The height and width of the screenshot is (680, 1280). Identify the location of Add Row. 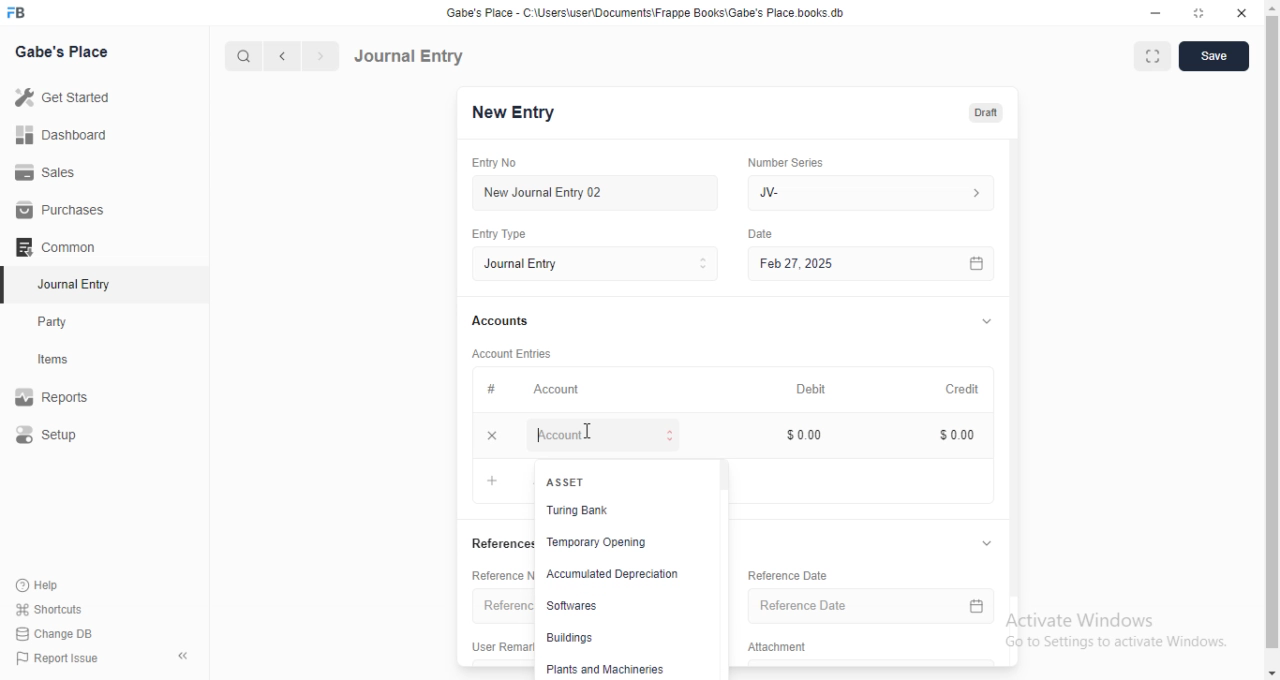
(567, 435).